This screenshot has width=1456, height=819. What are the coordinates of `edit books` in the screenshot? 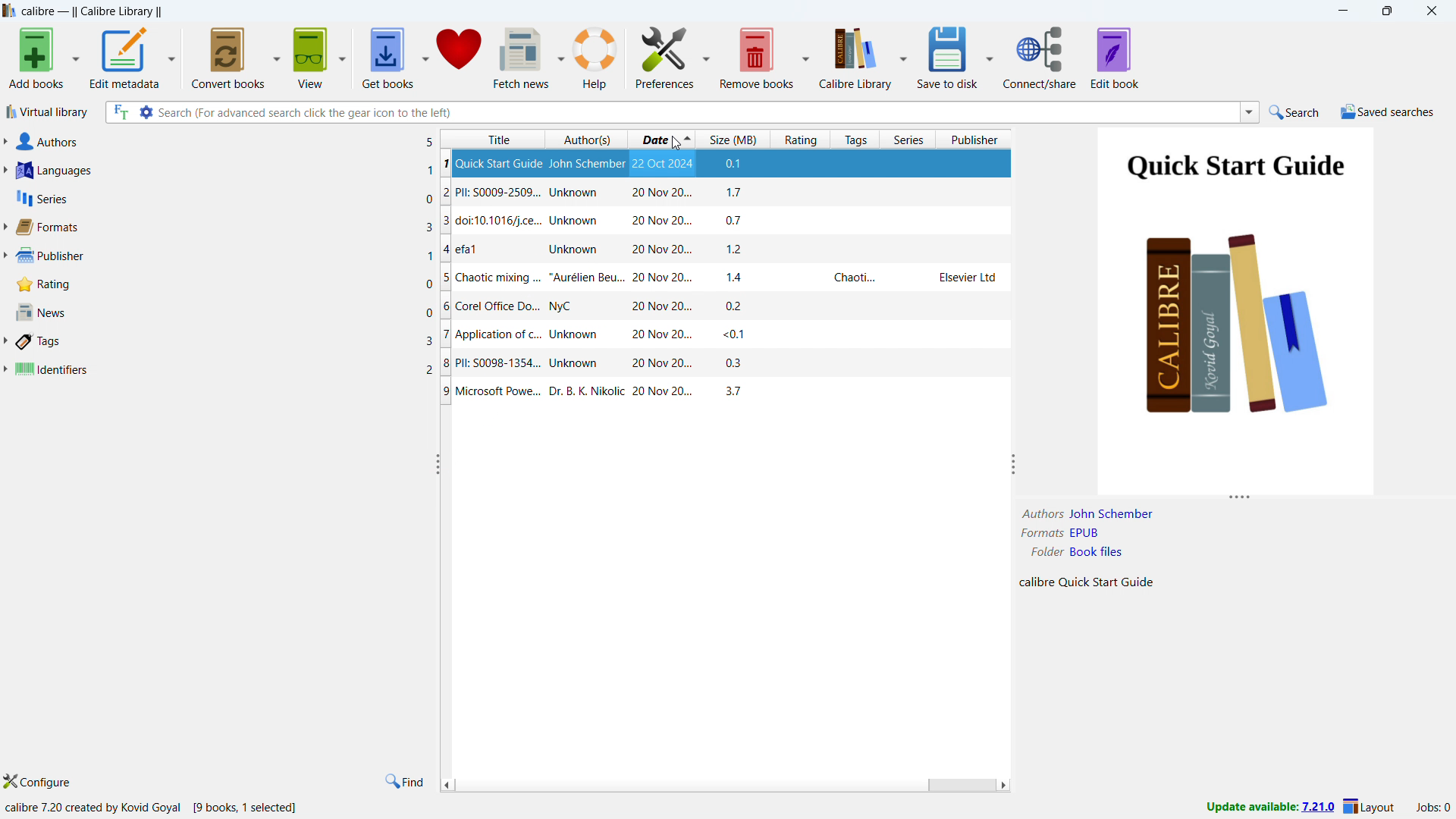 It's located at (1115, 58).